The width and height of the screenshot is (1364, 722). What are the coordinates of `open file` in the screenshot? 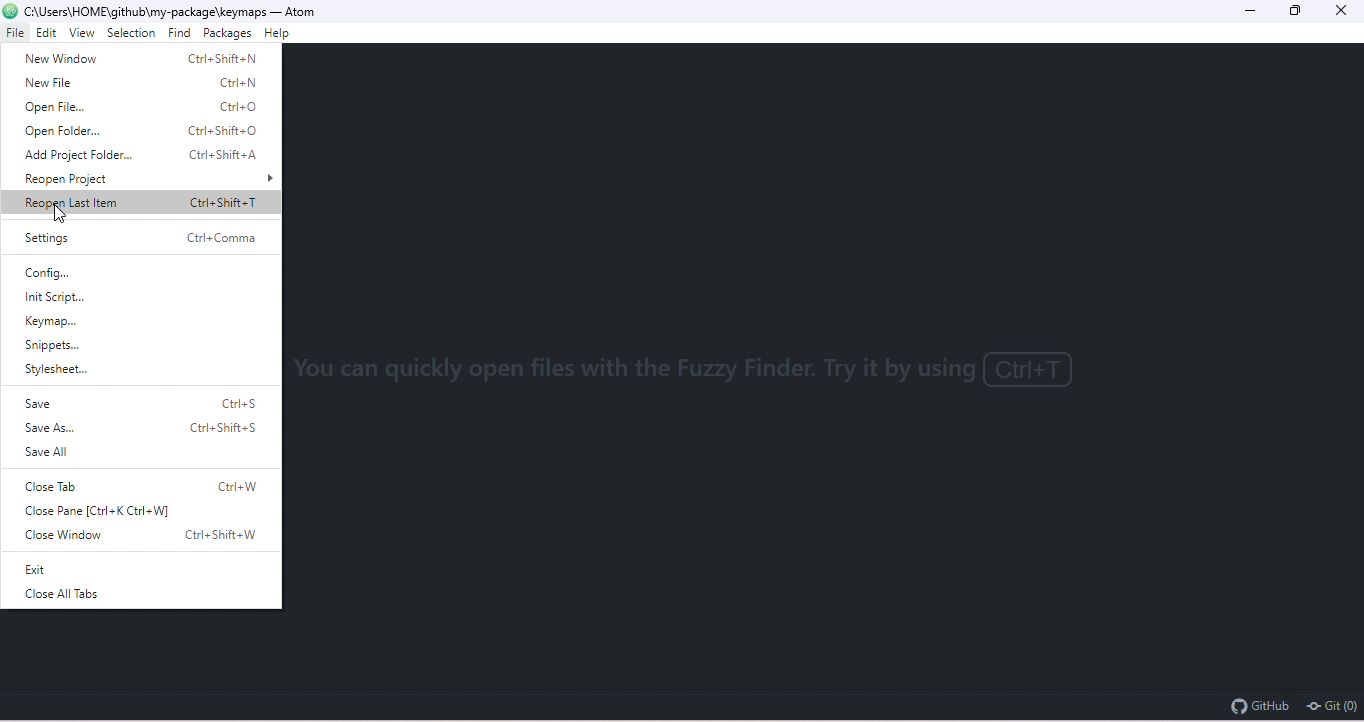 It's located at (140, 108).